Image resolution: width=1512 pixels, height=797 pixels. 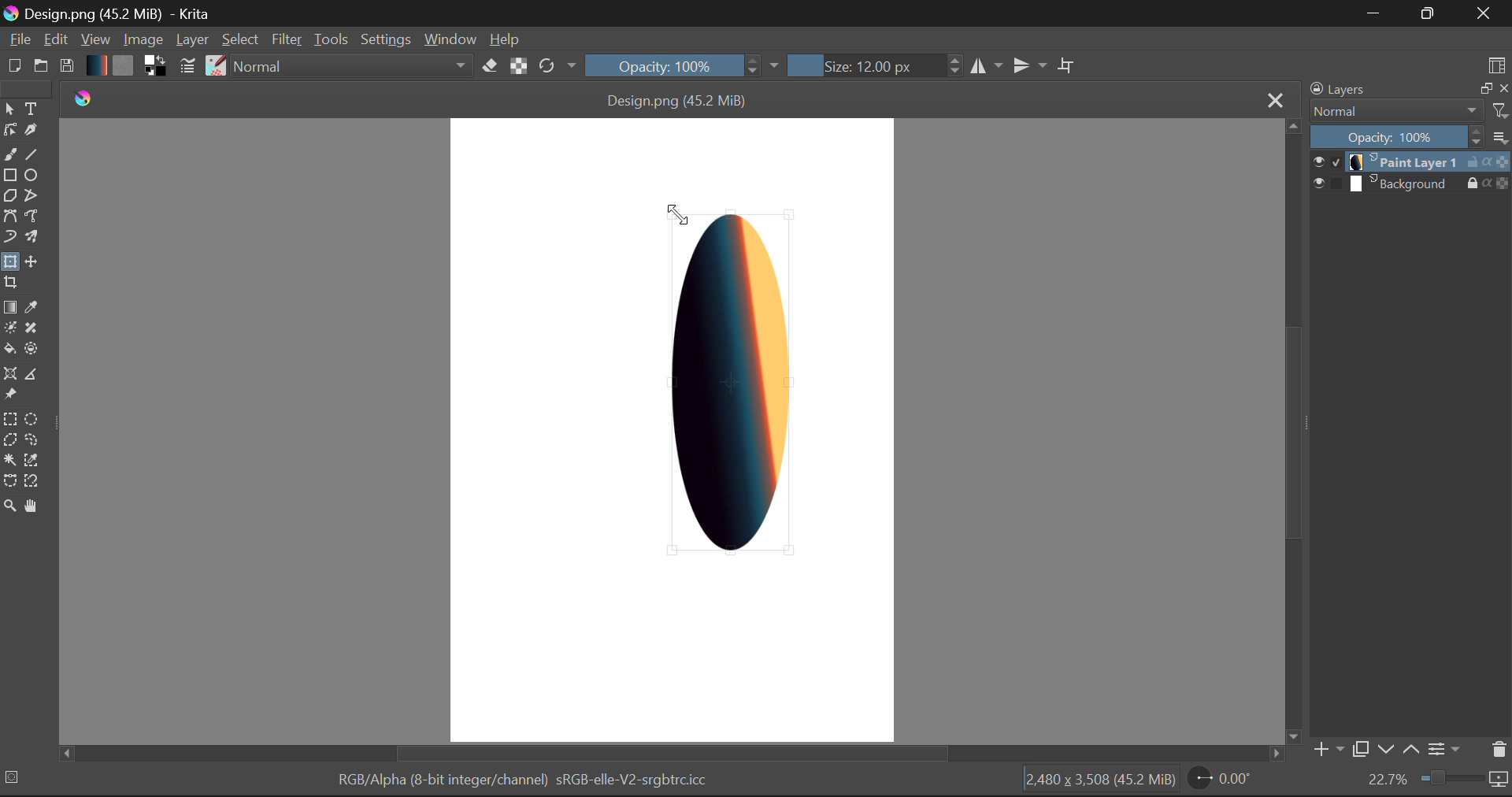 I want to click on Open, so click(x=41, y=66).